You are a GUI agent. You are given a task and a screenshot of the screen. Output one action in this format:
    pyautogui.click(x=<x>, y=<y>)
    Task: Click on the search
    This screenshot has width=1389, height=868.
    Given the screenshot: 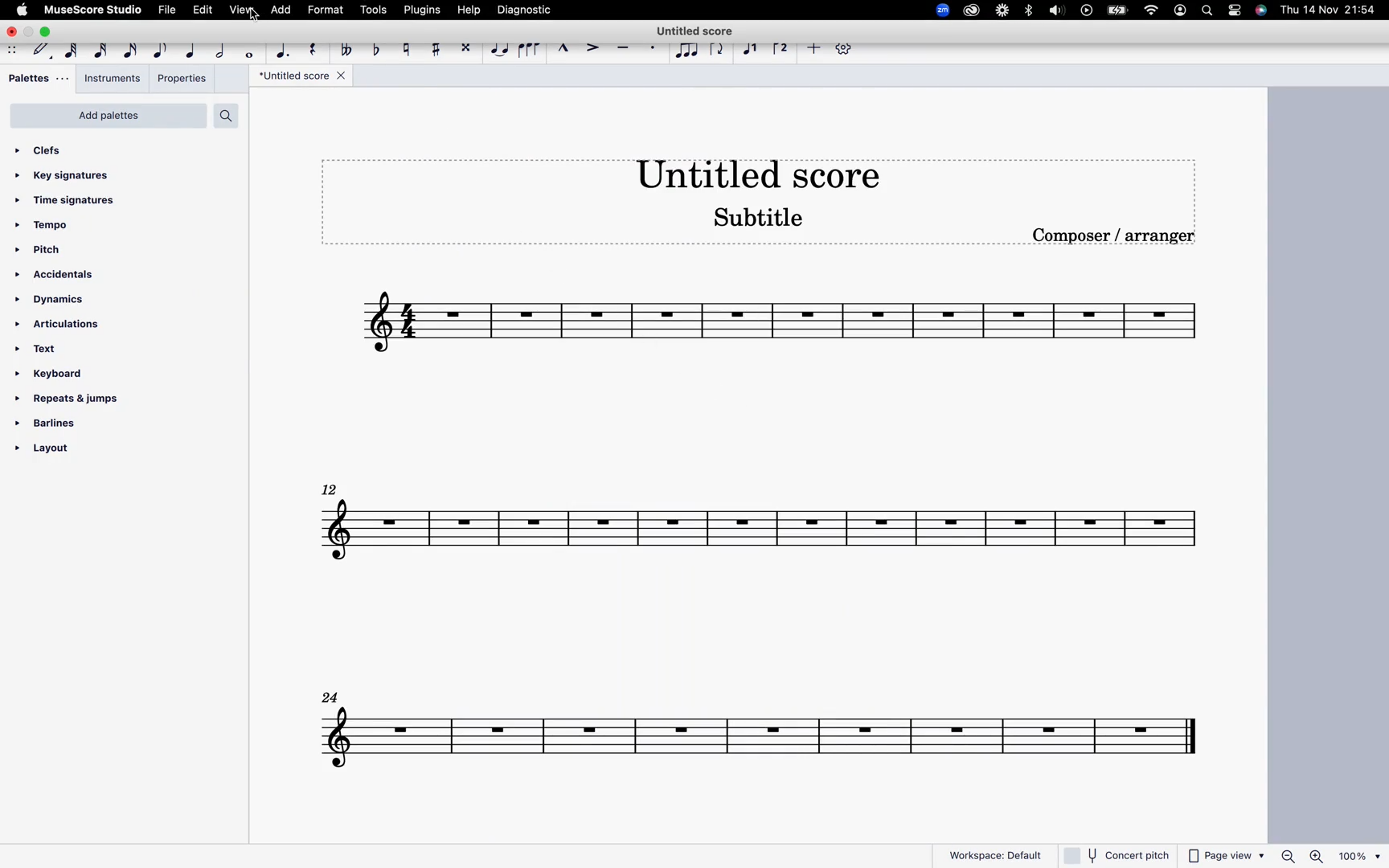 What is the action you would take?
    pyautogui.click(x=1208, y=10)
    